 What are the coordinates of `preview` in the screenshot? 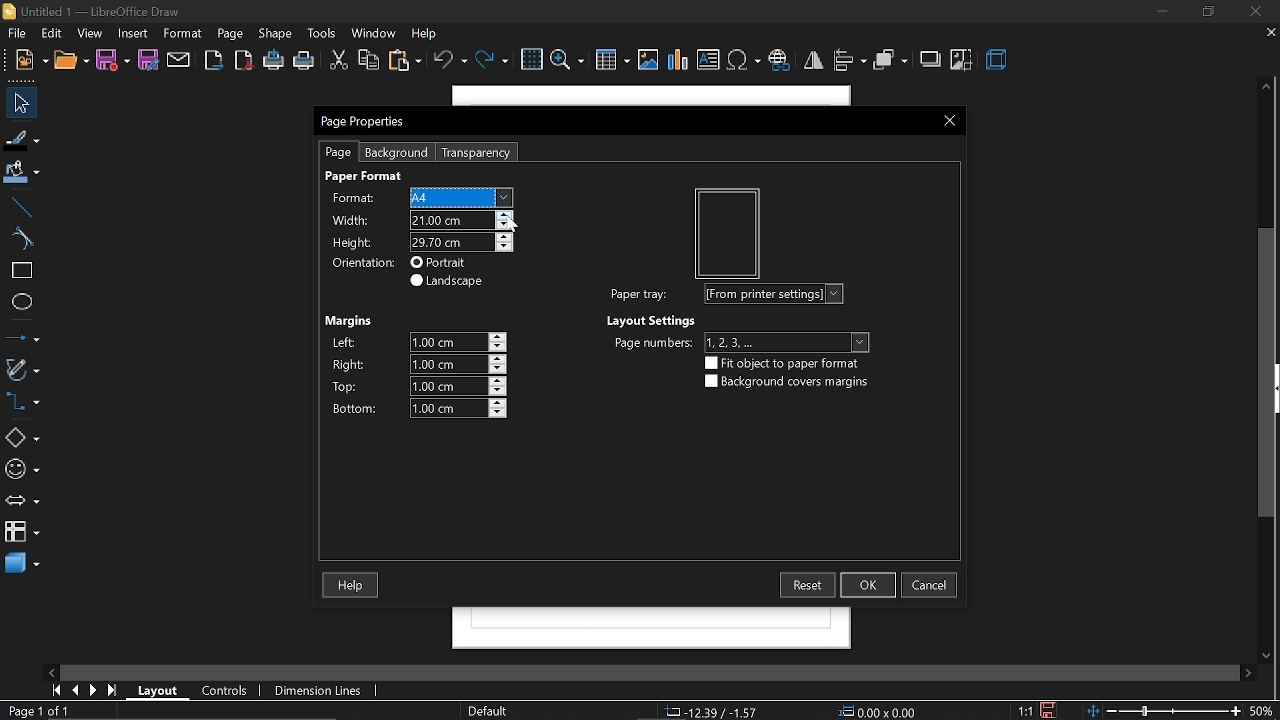 It's located at (719, 224).